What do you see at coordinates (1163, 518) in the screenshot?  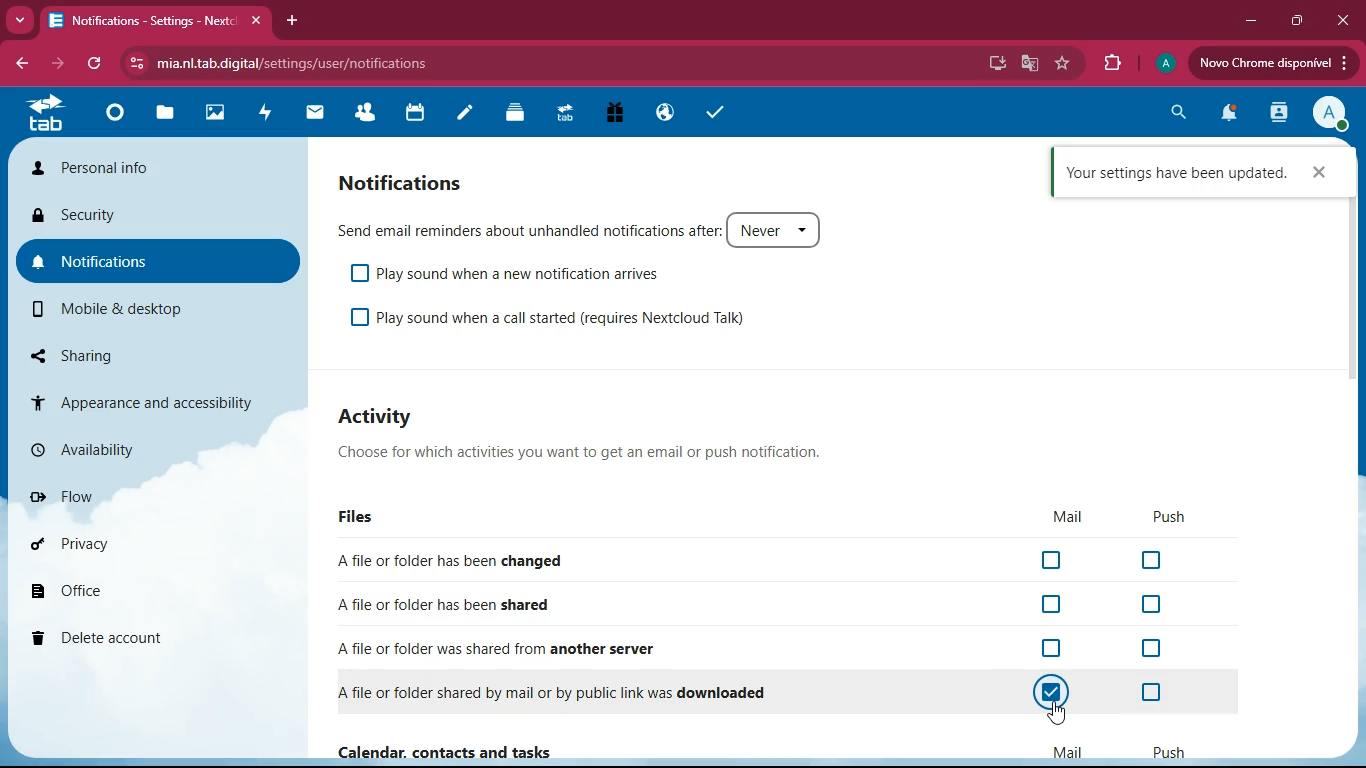 I see `push` at bounding box center [1163, 518].